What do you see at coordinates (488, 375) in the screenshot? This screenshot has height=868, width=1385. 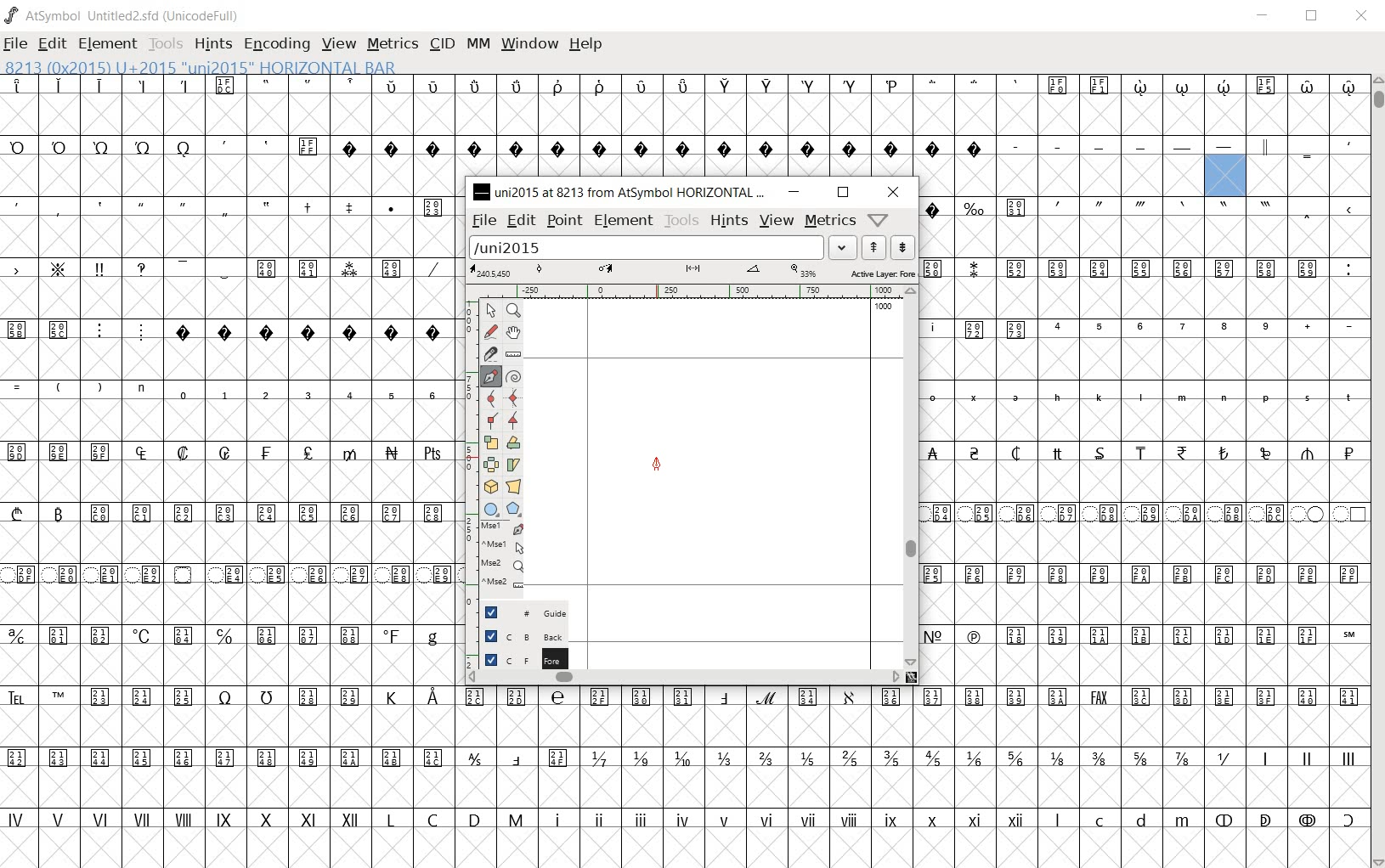 I see `add a point, then drag out its control points` at bounding box center [488, 375].